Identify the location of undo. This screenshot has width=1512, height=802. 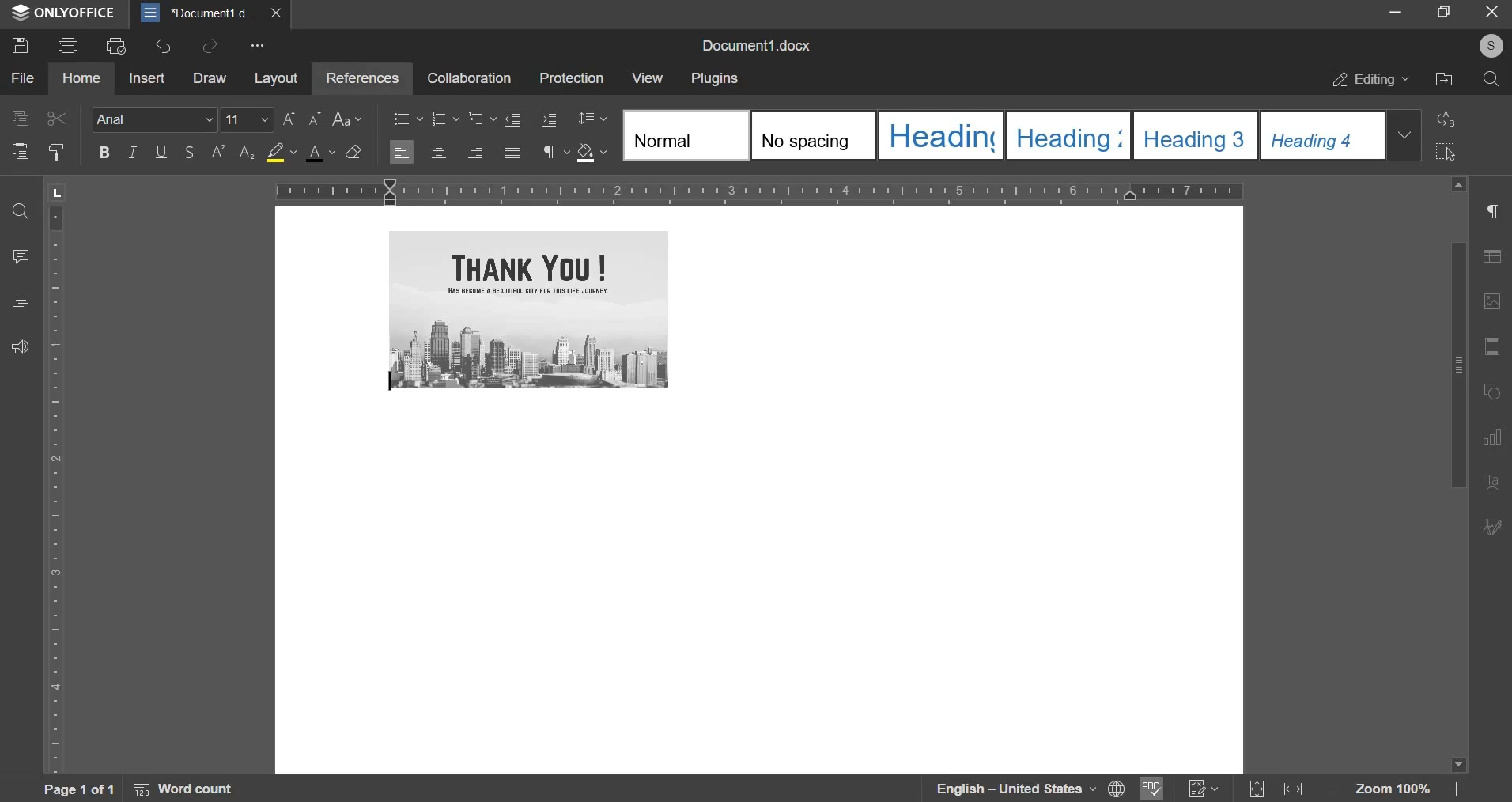
(163, 47).